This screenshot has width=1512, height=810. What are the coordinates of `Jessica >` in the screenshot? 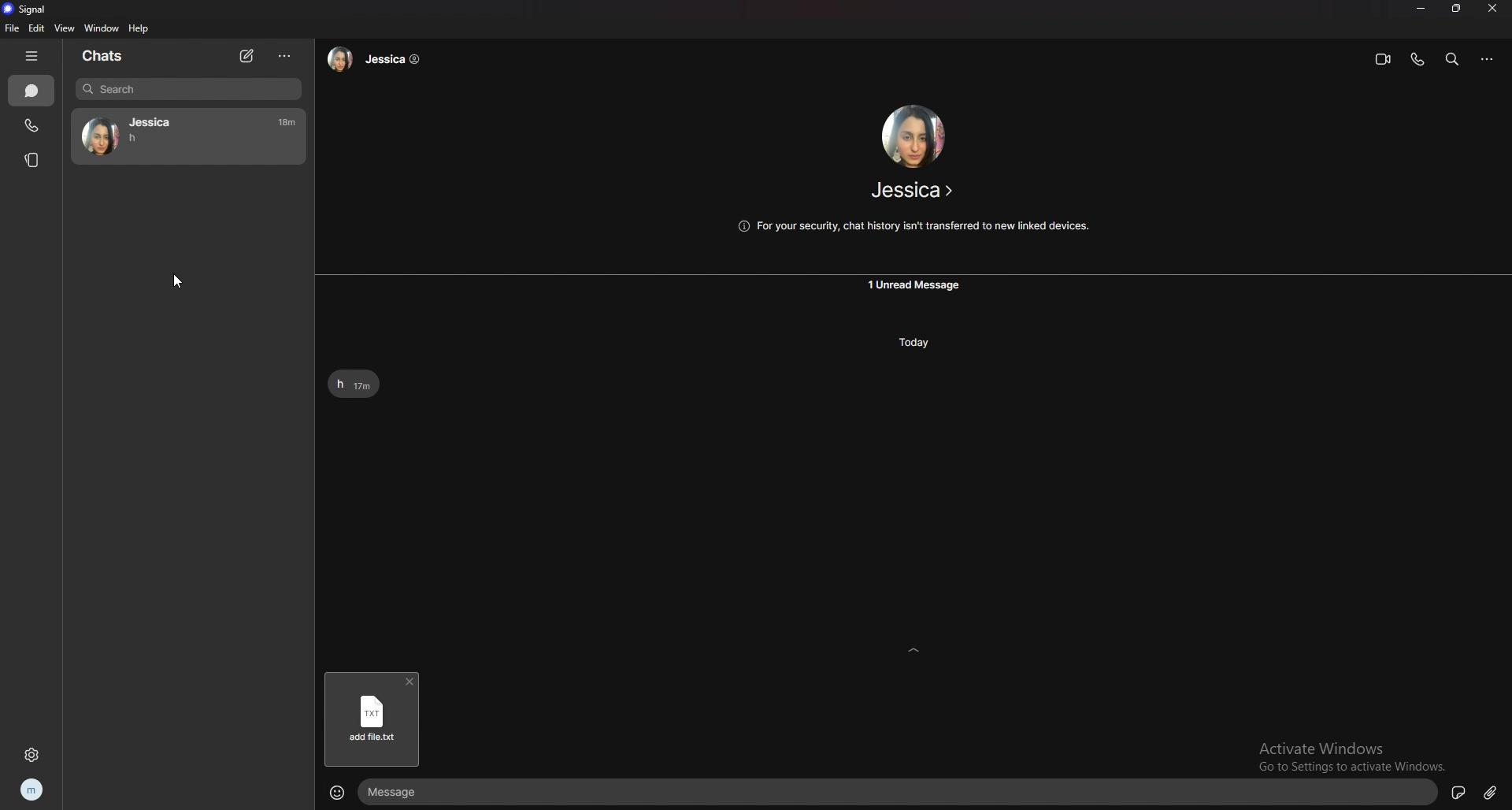 It's located at (913, 191).